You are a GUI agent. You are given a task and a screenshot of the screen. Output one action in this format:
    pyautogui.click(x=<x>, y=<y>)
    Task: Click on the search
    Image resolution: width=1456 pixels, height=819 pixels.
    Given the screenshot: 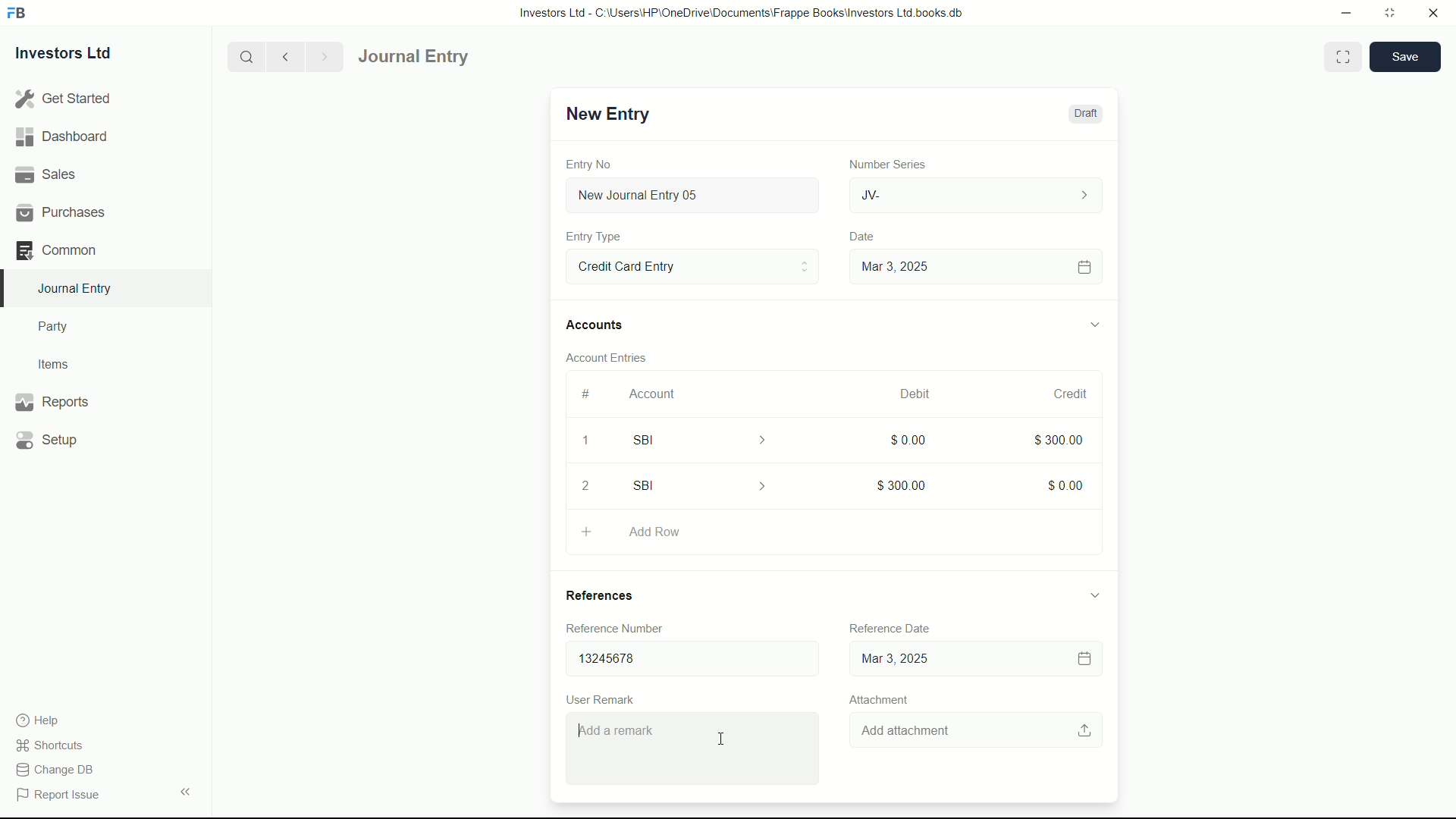 What is the action you would take?
    pyautogui.click(x=245, y=55)
    